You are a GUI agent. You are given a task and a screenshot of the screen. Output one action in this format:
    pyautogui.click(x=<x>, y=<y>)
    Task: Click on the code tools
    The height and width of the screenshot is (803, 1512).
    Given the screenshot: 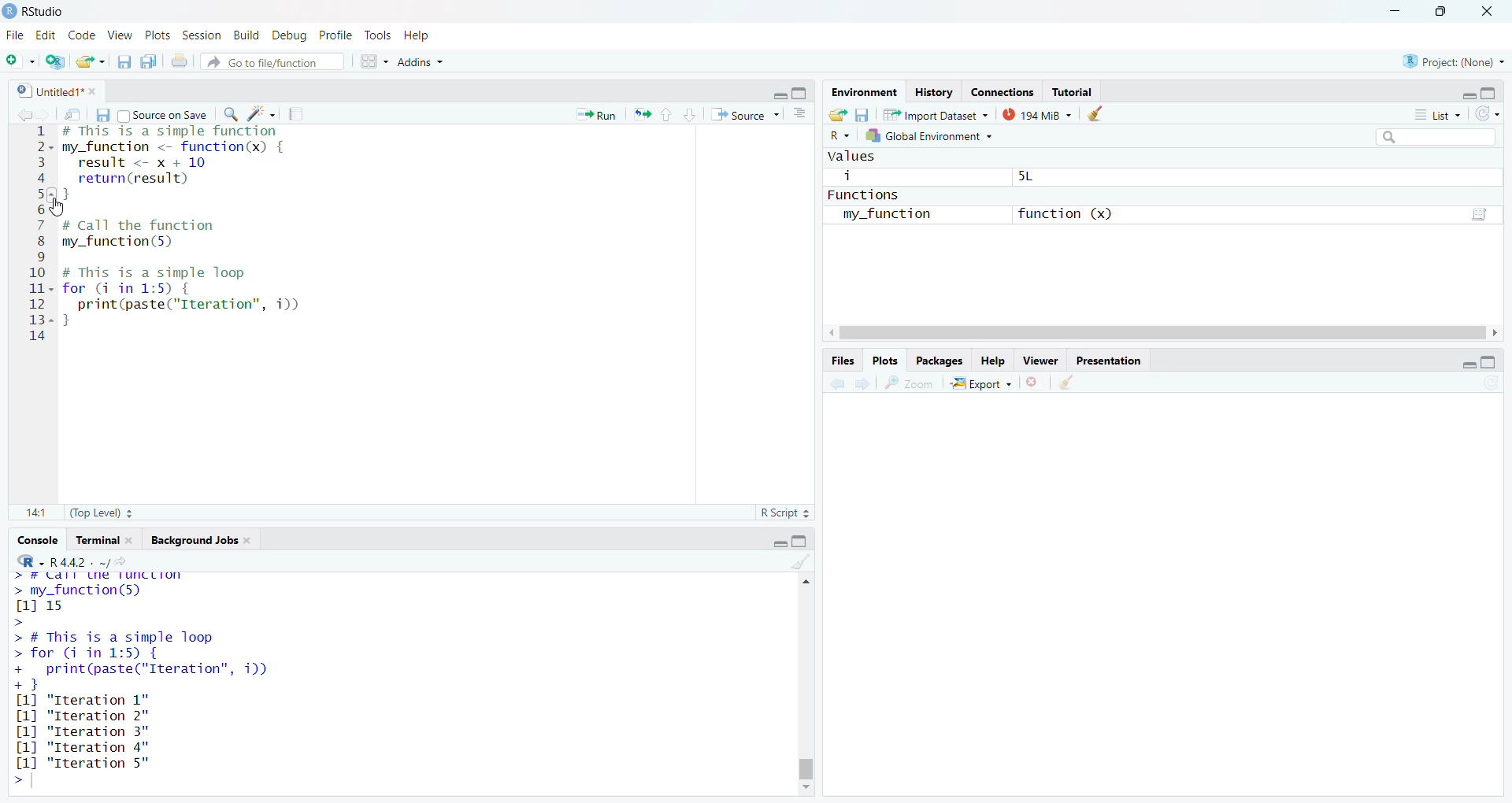 What is the action you would take?
    pyautogui.click(x=262, y=113)
    